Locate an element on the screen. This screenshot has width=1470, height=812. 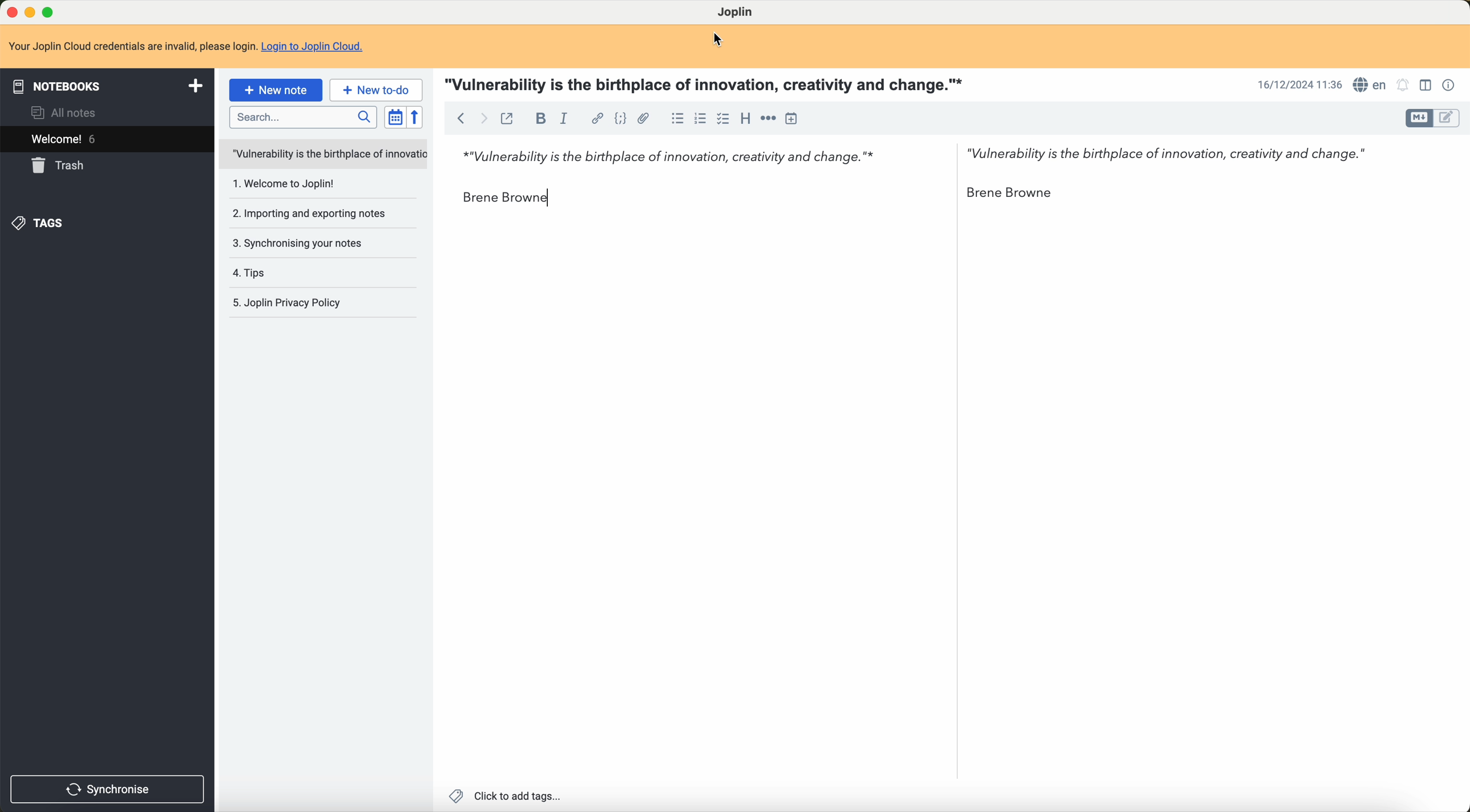
Login to Joplin Cloud. is located at coordinates (319, 47).